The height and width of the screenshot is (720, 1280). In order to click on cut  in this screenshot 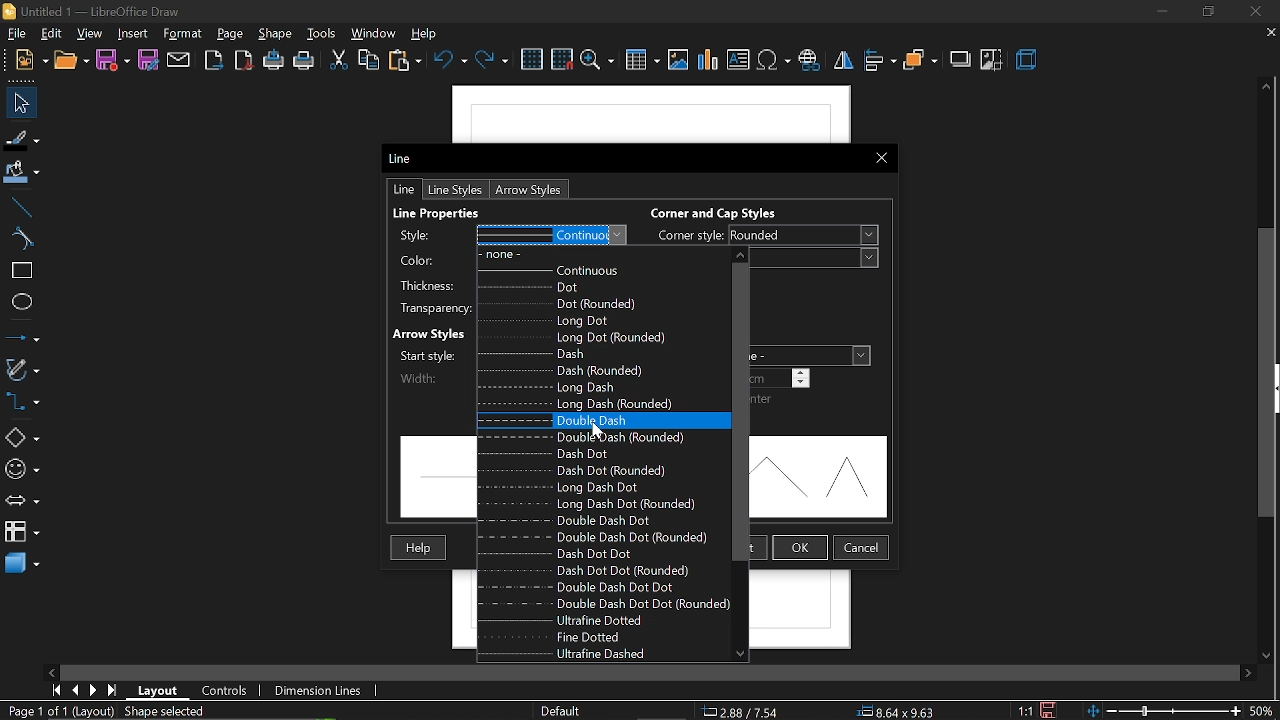, I will do `click(339, 61)`.